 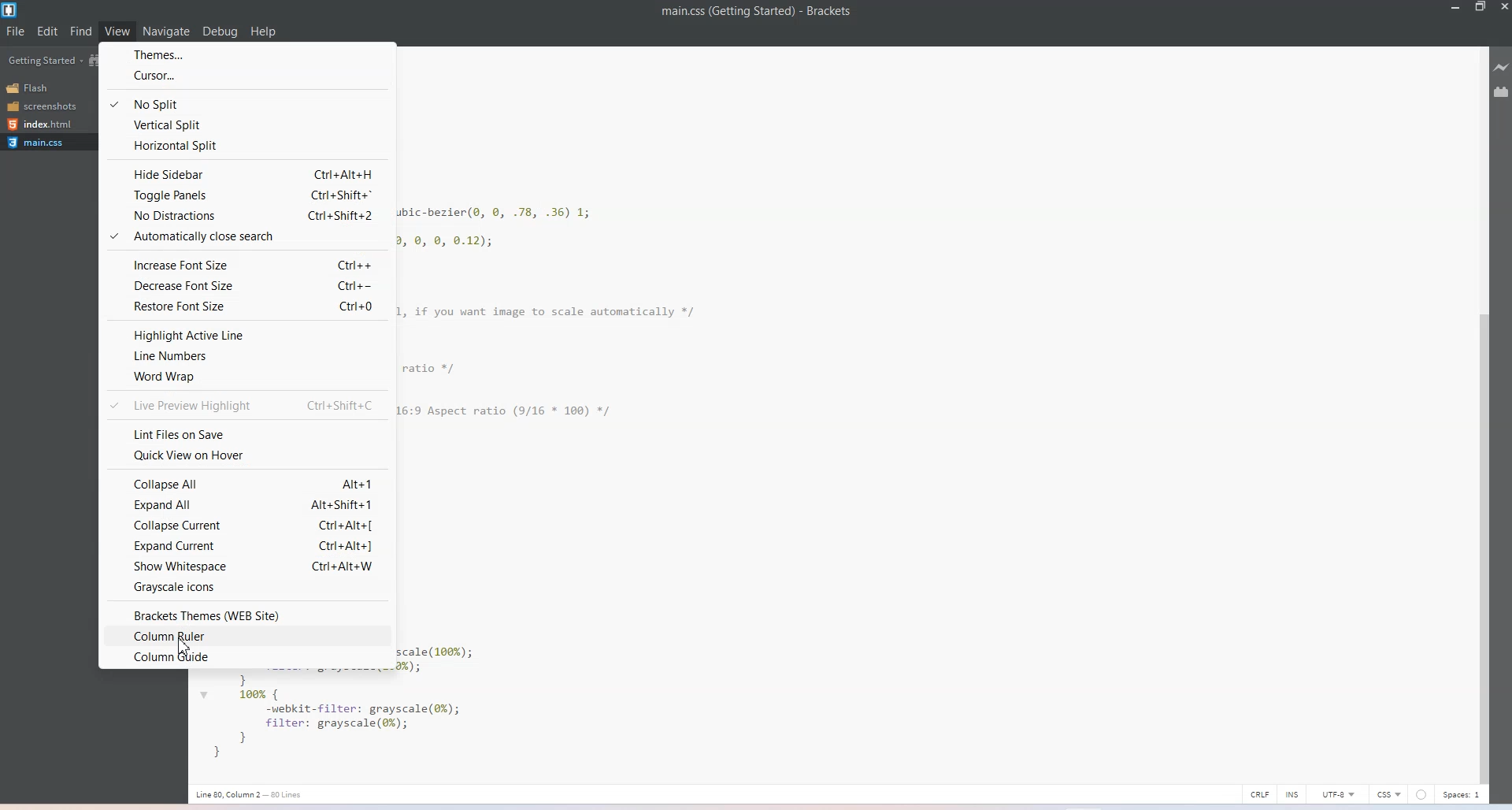 I want to click on Horizontal Split, so click(x=245, y=147).